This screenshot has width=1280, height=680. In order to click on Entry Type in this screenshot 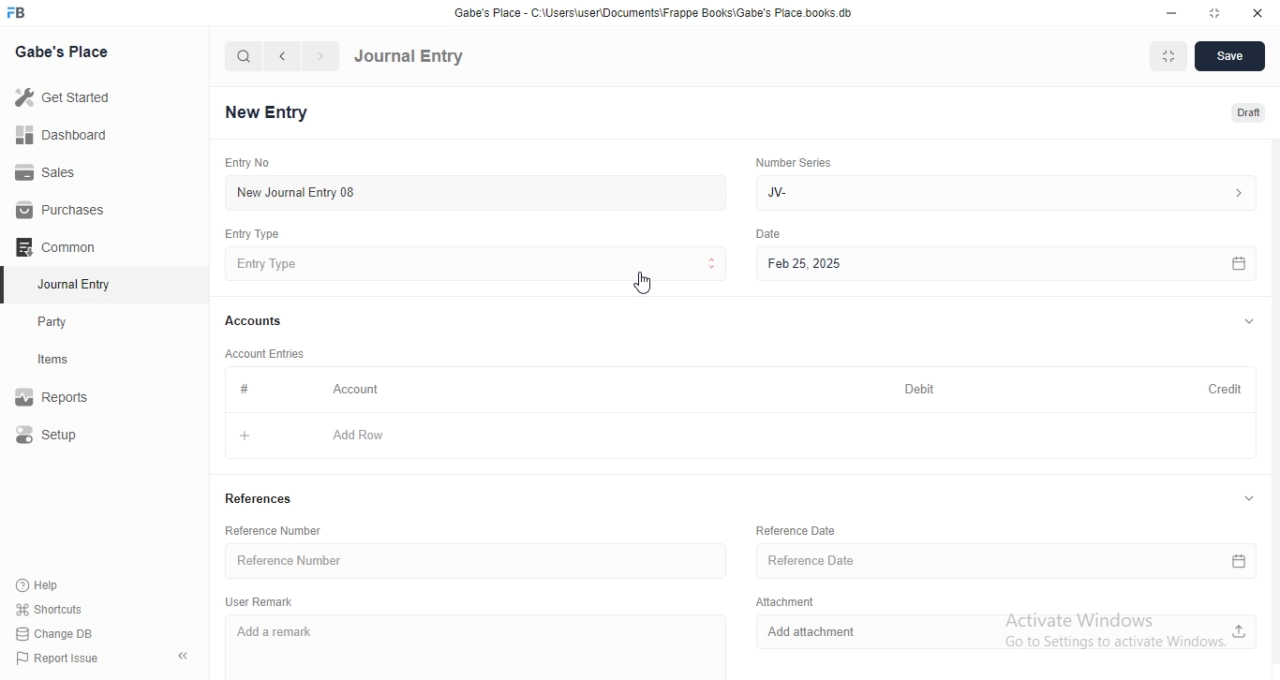, I will do `click(250, 234)`.